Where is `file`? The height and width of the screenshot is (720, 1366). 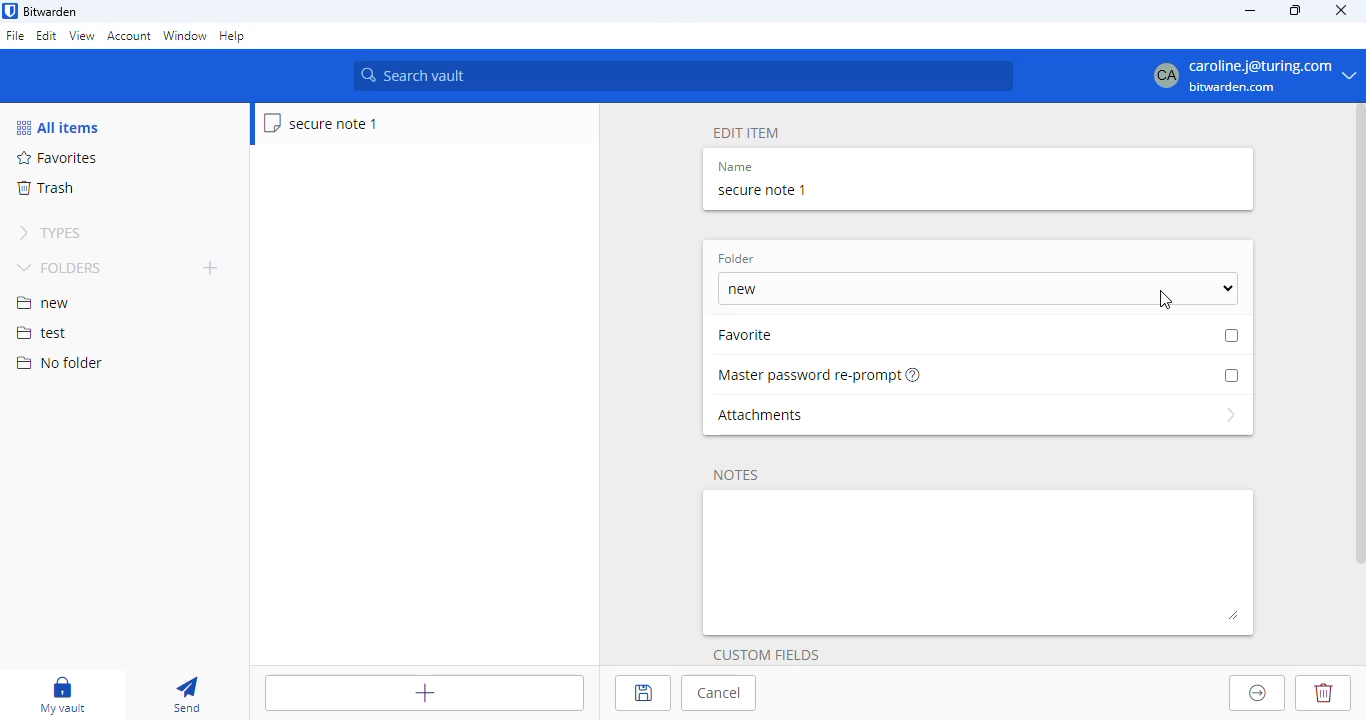 file is located at coordinates (15, 37).